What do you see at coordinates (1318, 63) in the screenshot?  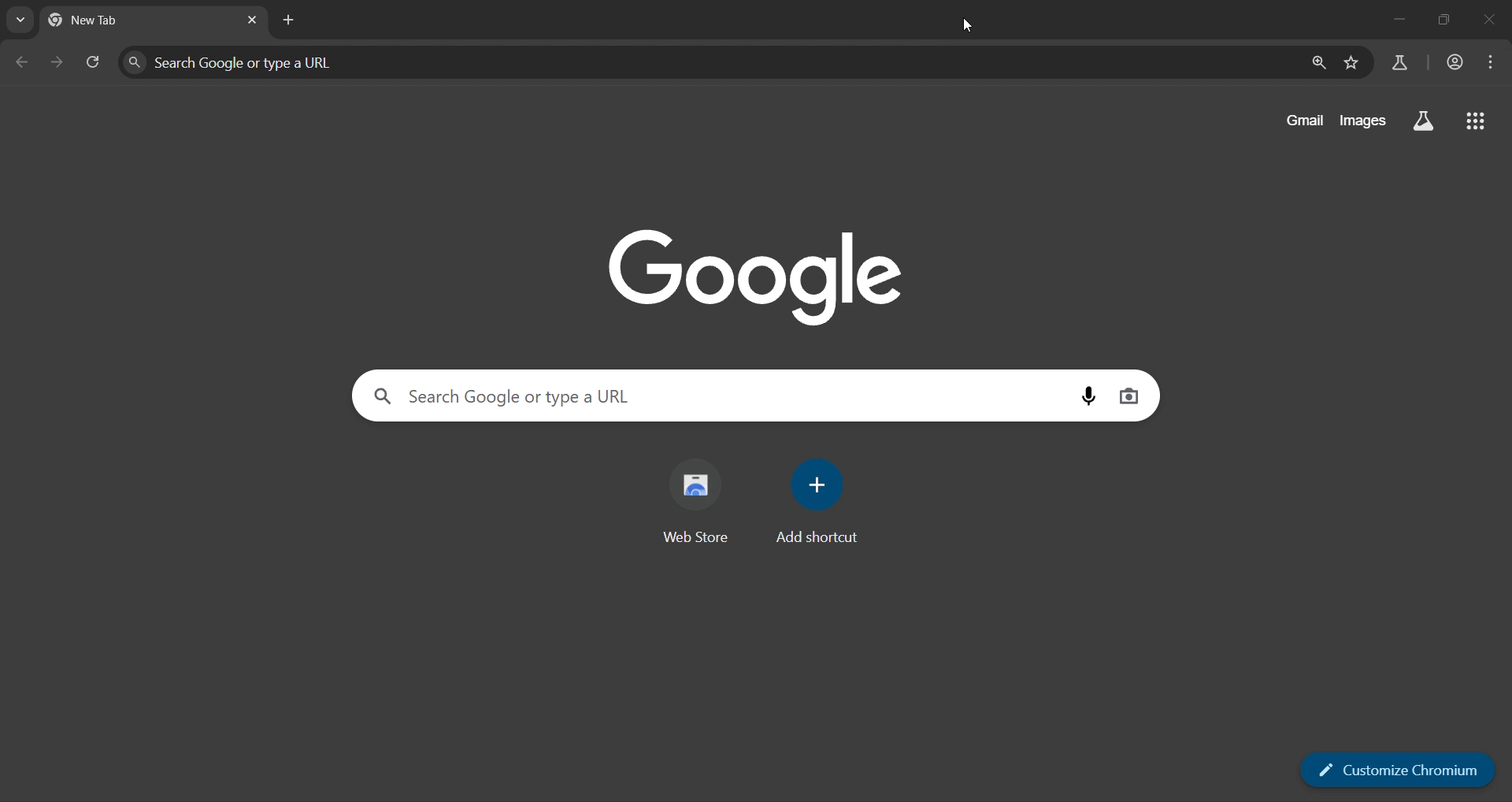 I see `zoom ` at bounding box center [1318, 63].